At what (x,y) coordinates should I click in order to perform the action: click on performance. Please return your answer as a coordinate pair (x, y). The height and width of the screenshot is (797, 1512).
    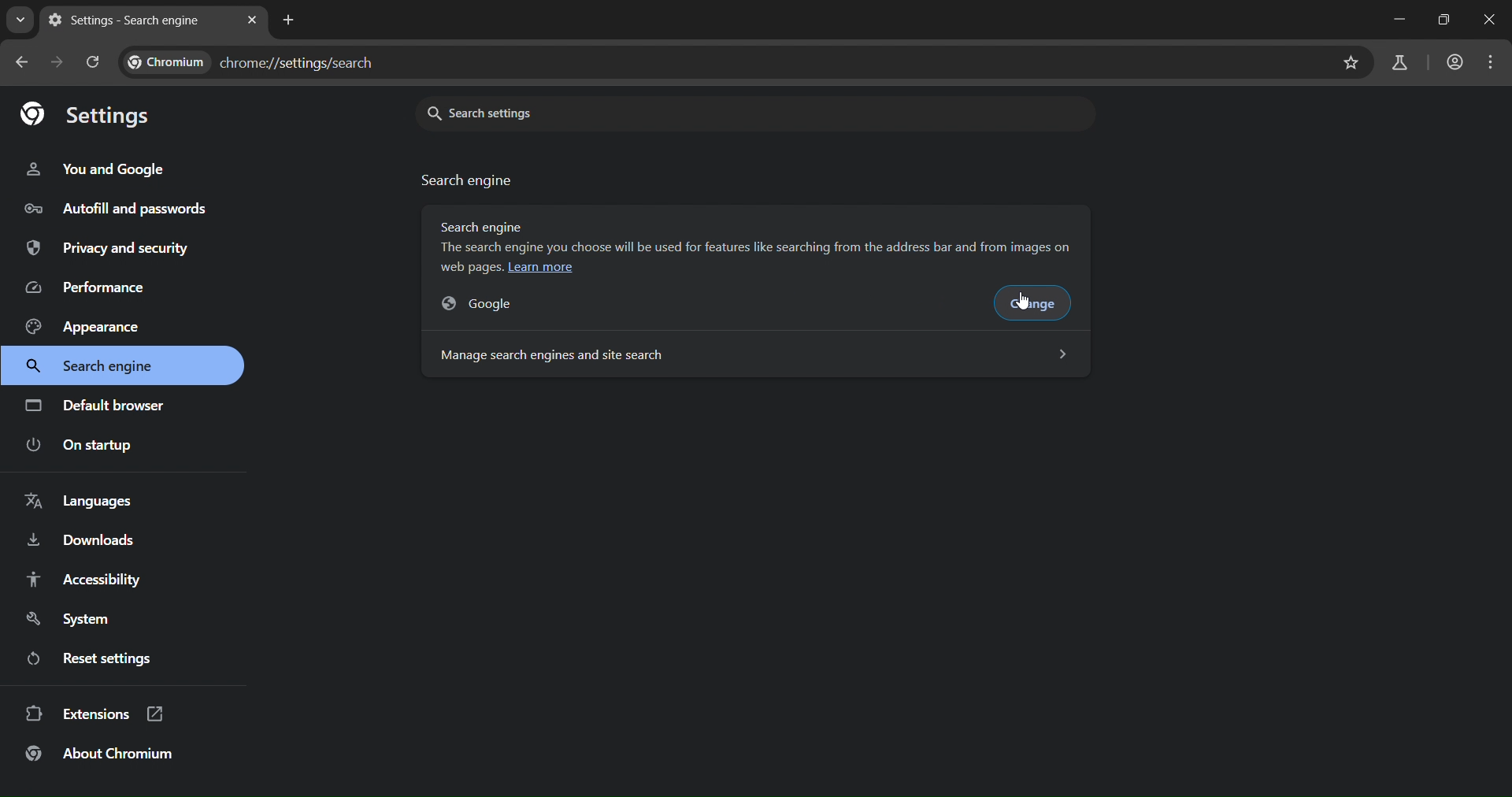
    Looking at the image, I should click on (91, 287).